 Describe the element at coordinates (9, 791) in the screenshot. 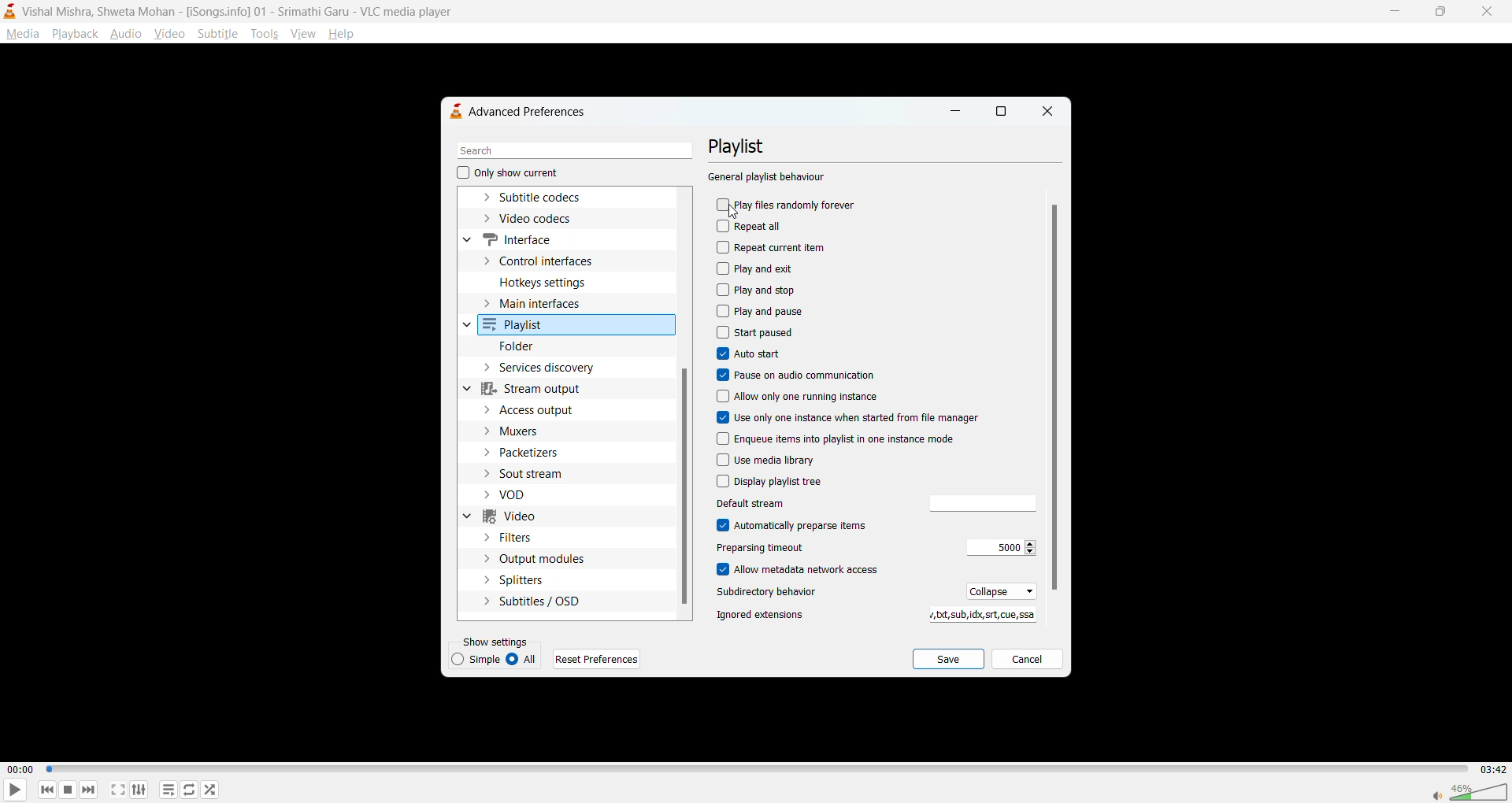

I see `play` at that location.